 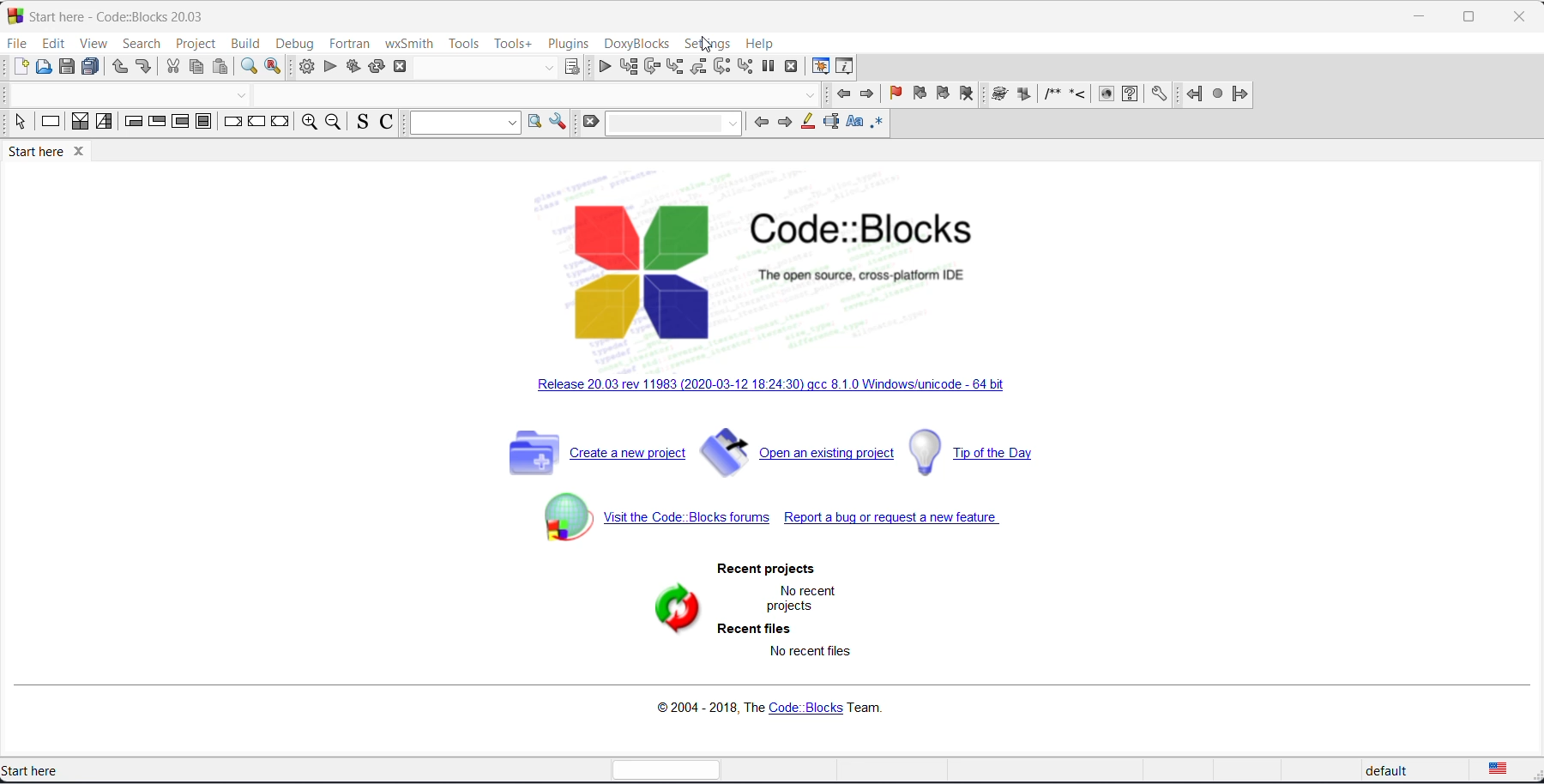 What do you see at coordinates (43, 67) in the screenshot?
I see `open` at bounding box center [43, 67].